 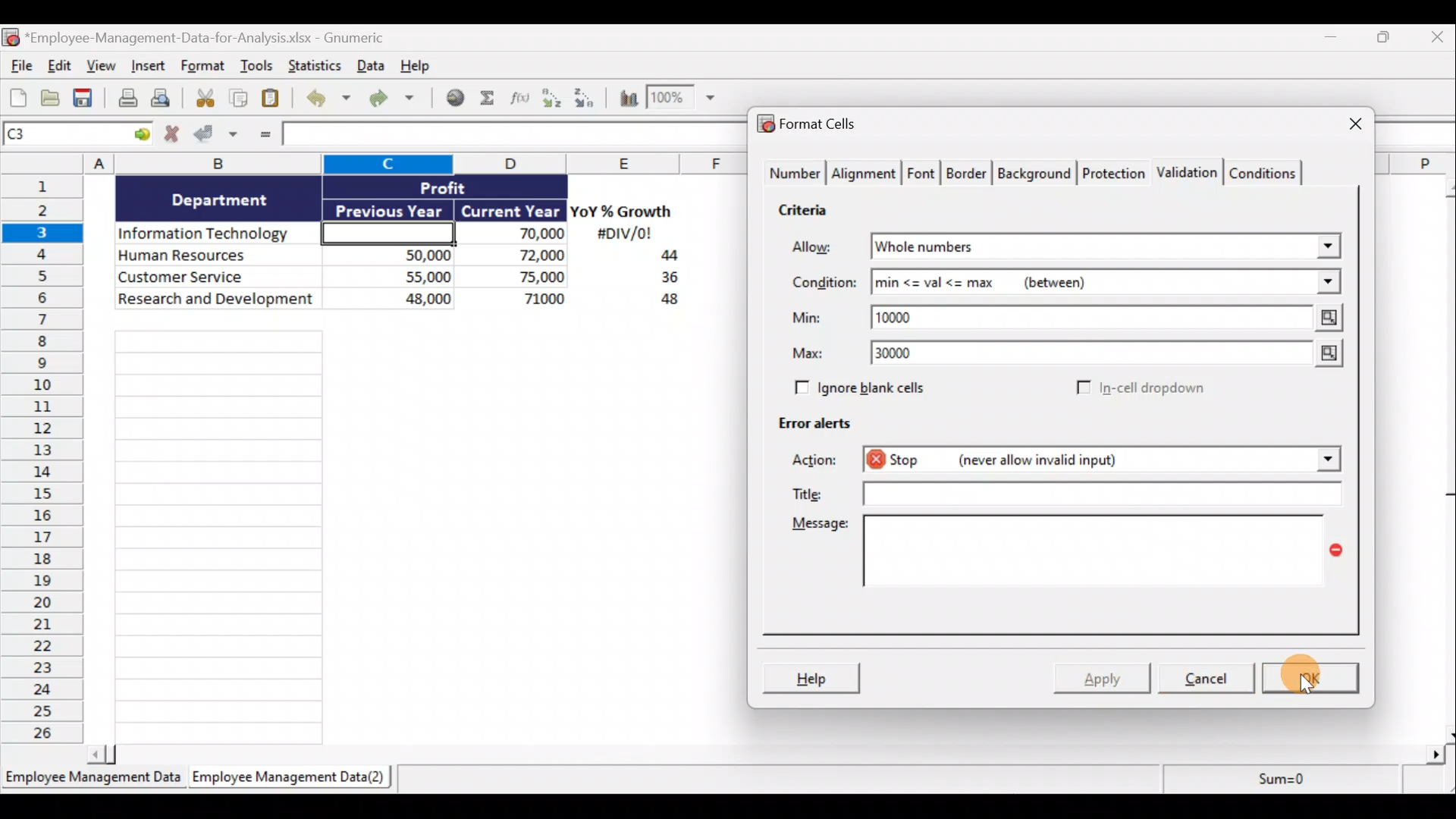 I want to click on Department, so click(x=220, y=199).